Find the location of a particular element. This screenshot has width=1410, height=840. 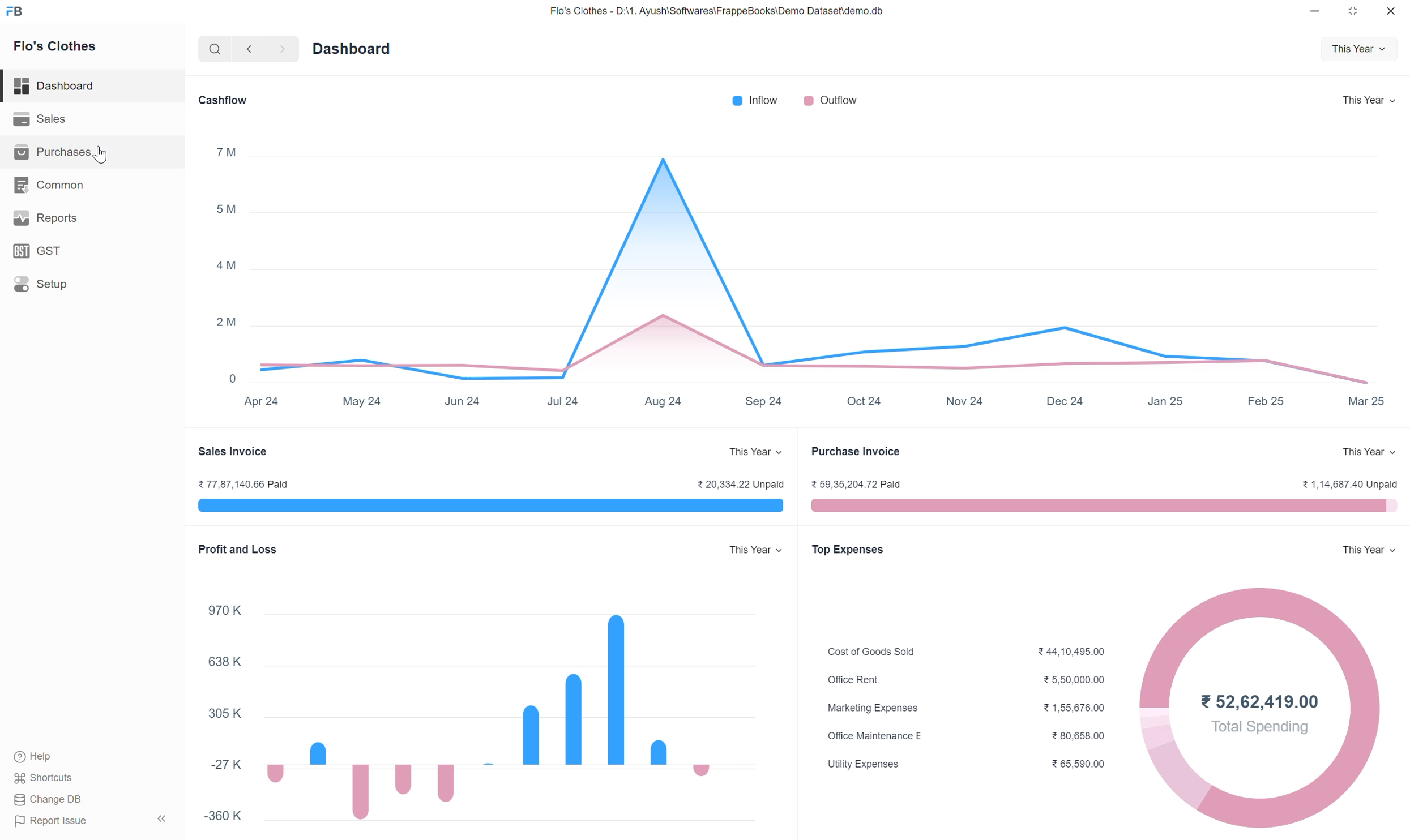

setup is located at coordinates (41, 282).